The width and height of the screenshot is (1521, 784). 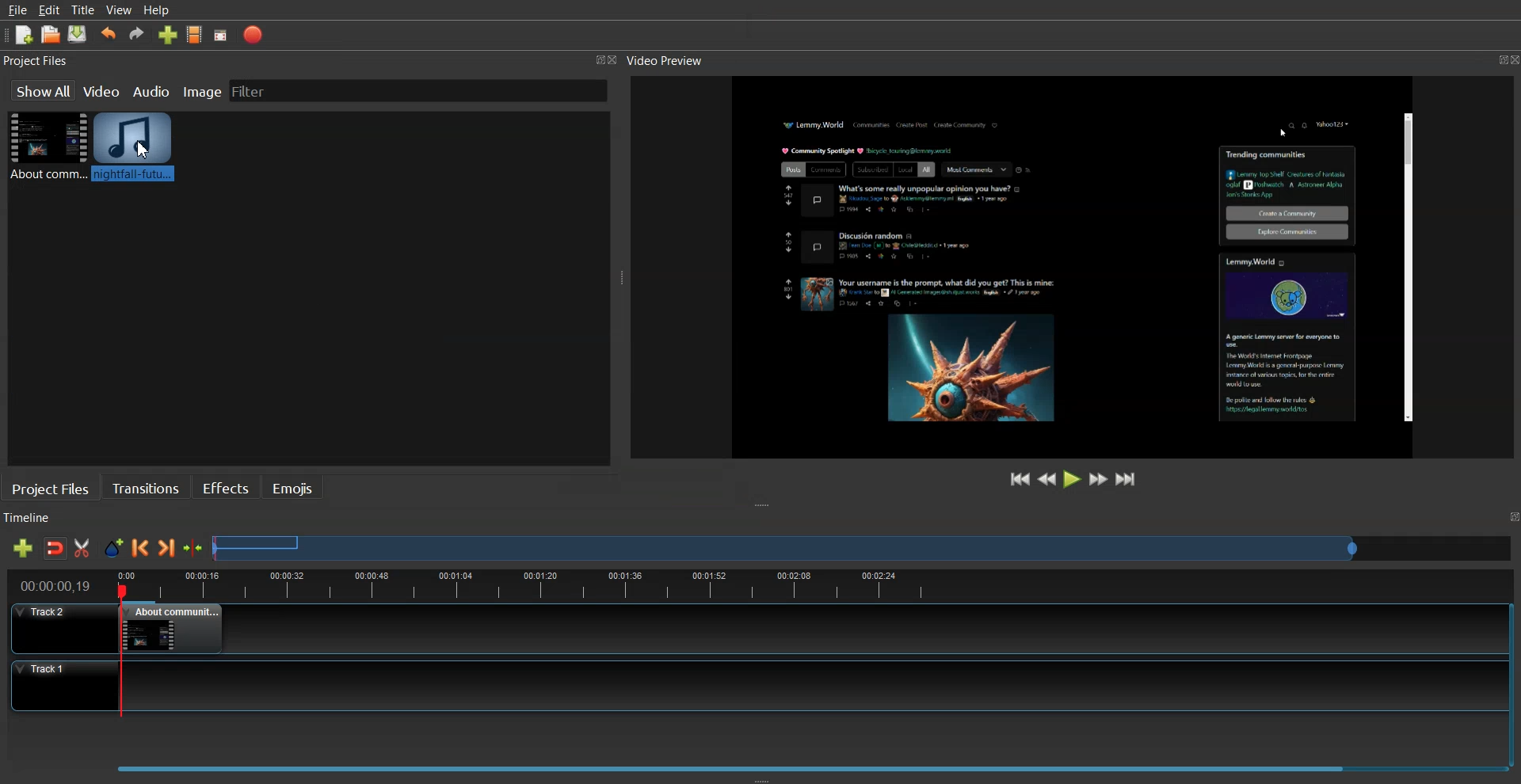 What do you see at coordinates (1126, 478) in the screenshot?
I see `Jump to End` at bounding box center [1126, 478].